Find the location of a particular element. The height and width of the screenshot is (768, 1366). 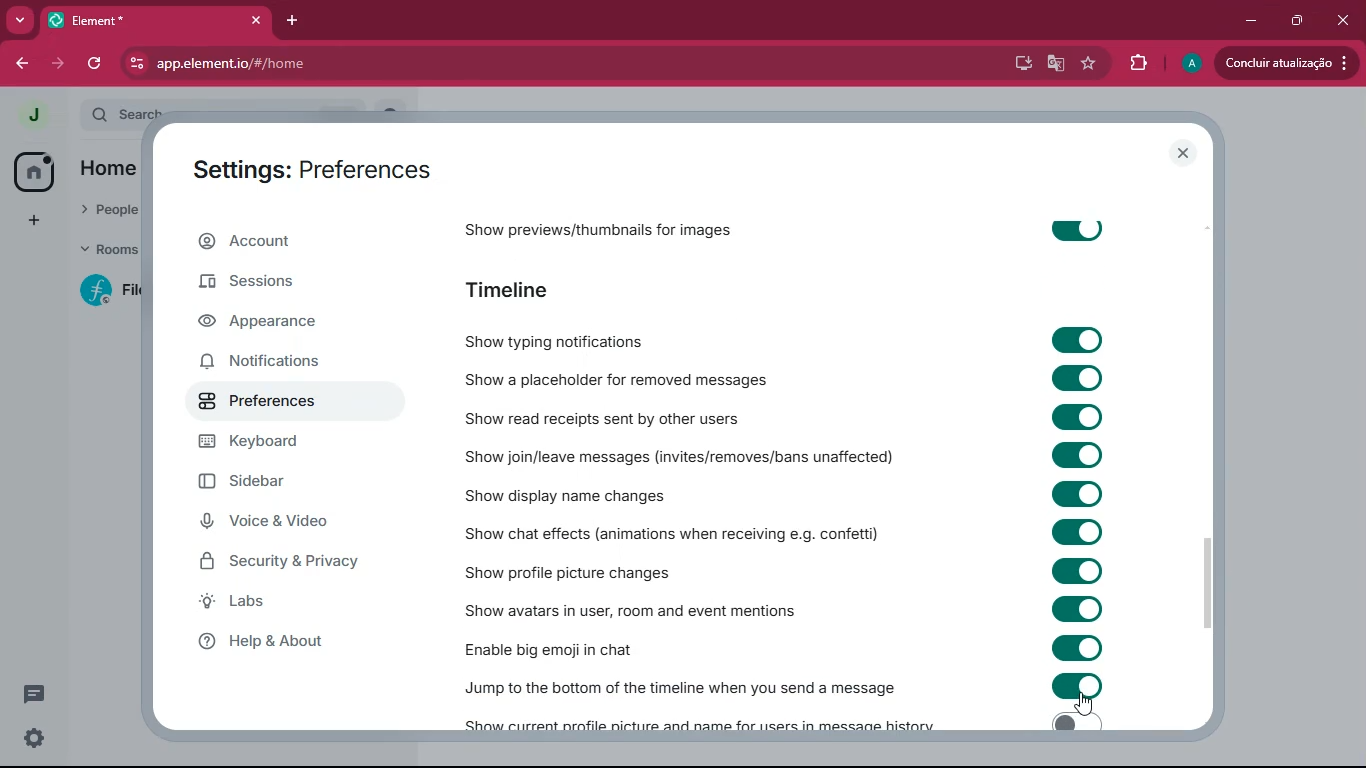

toggle on  is located at coordinates (1083, 453).